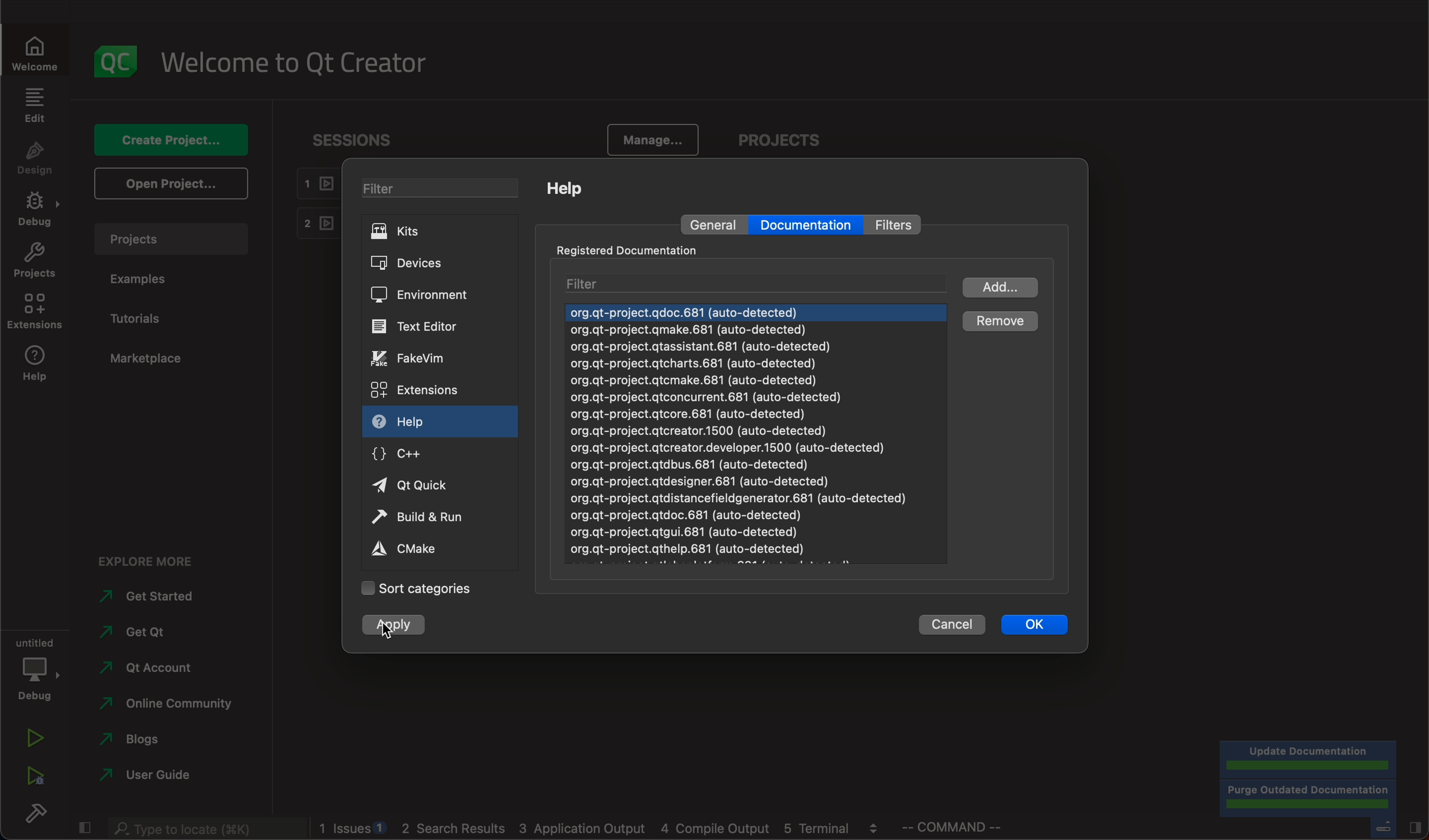 This screenshot has width=1429, height=840. What do you see at coordinates (431, 294) in the screenshot?
I see `environment` at bounding box center [431, 294].